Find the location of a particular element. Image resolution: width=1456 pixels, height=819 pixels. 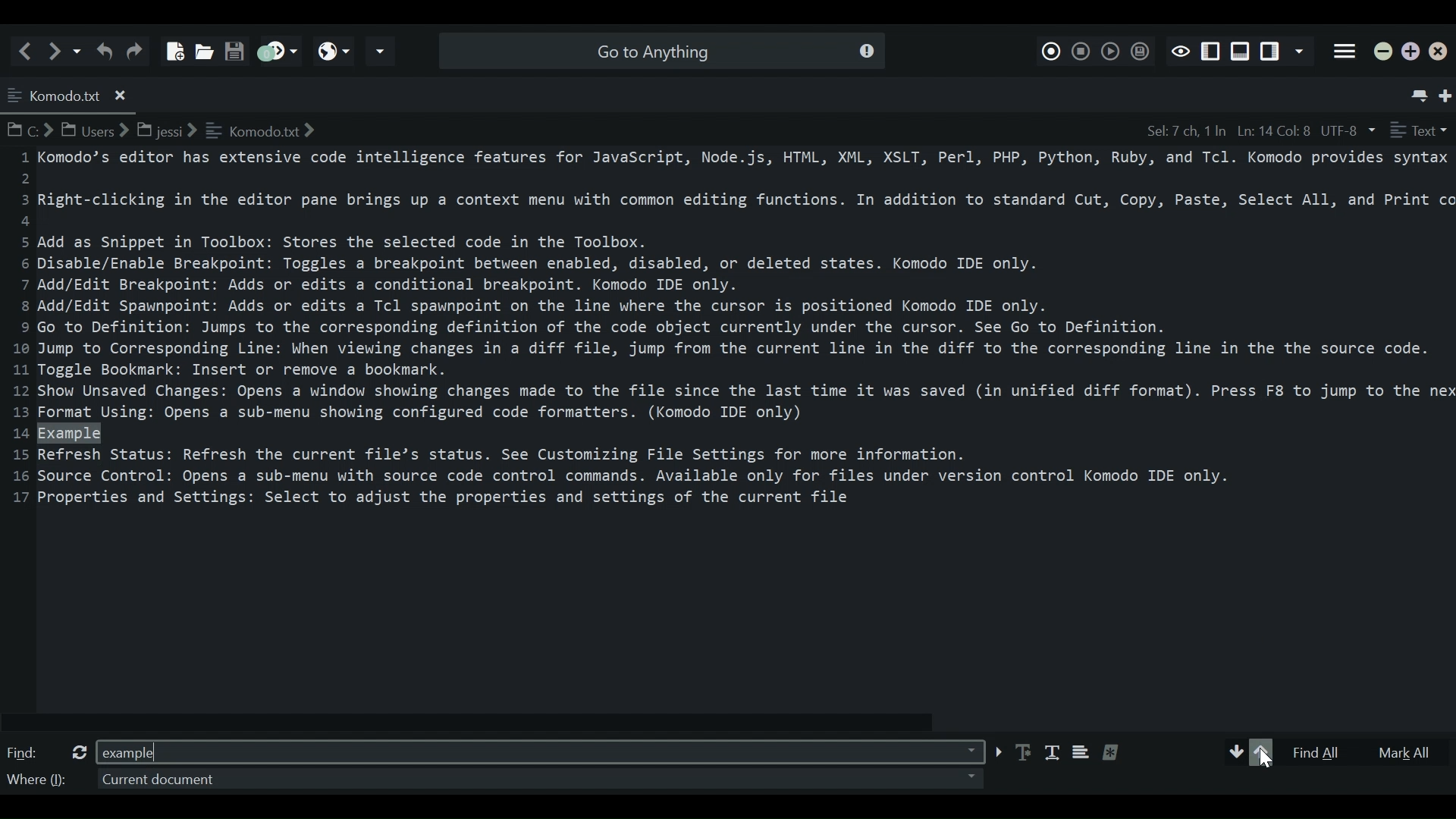

Arrow up is located at coordinates (1261, 752).